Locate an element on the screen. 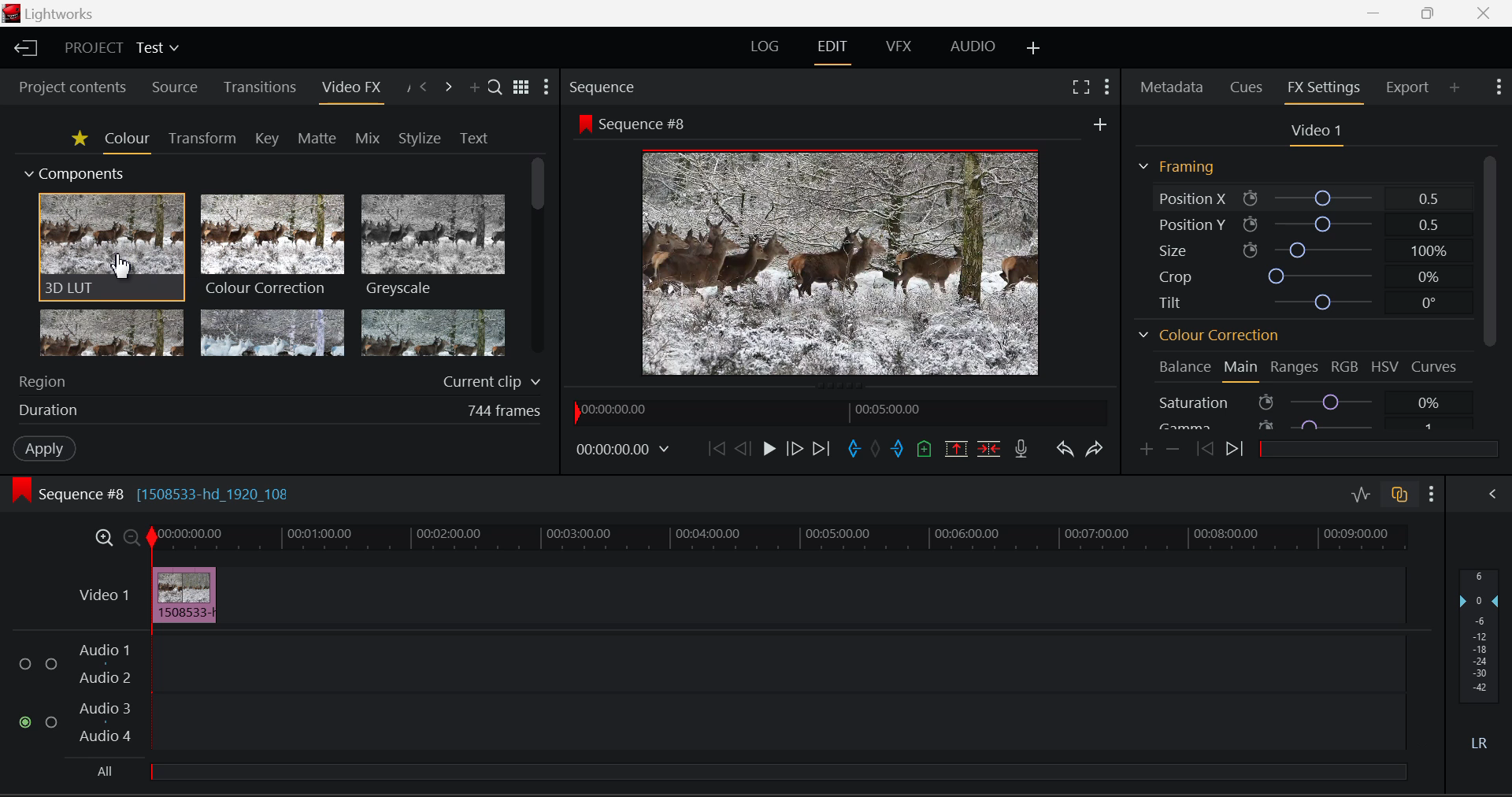 This screenshot has width=1512, height=797. Apply is located at coordinates (42, 449).